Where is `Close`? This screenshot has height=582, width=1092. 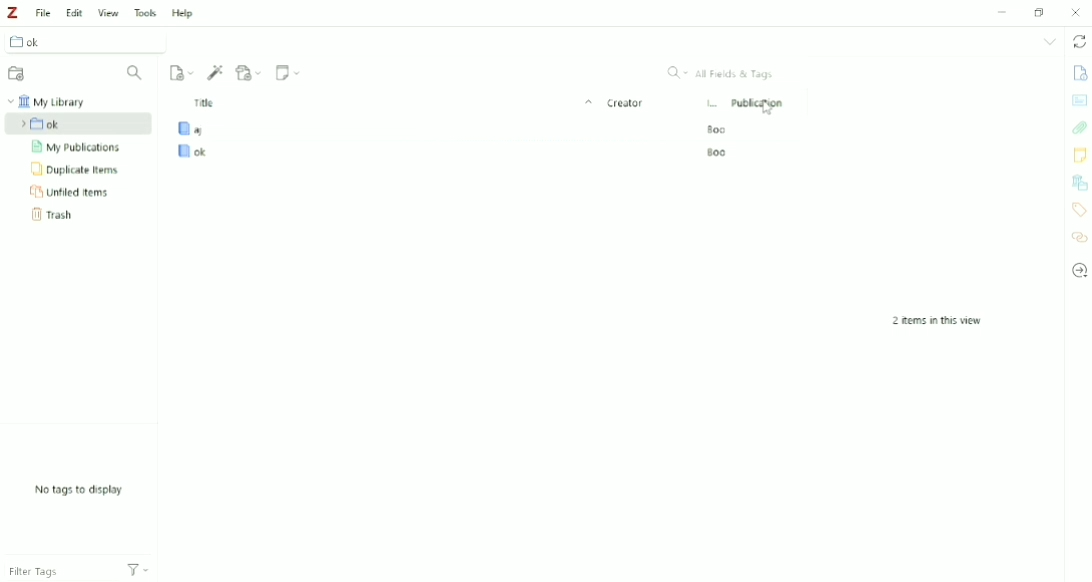 Close is located at coordinates (1076, 14).